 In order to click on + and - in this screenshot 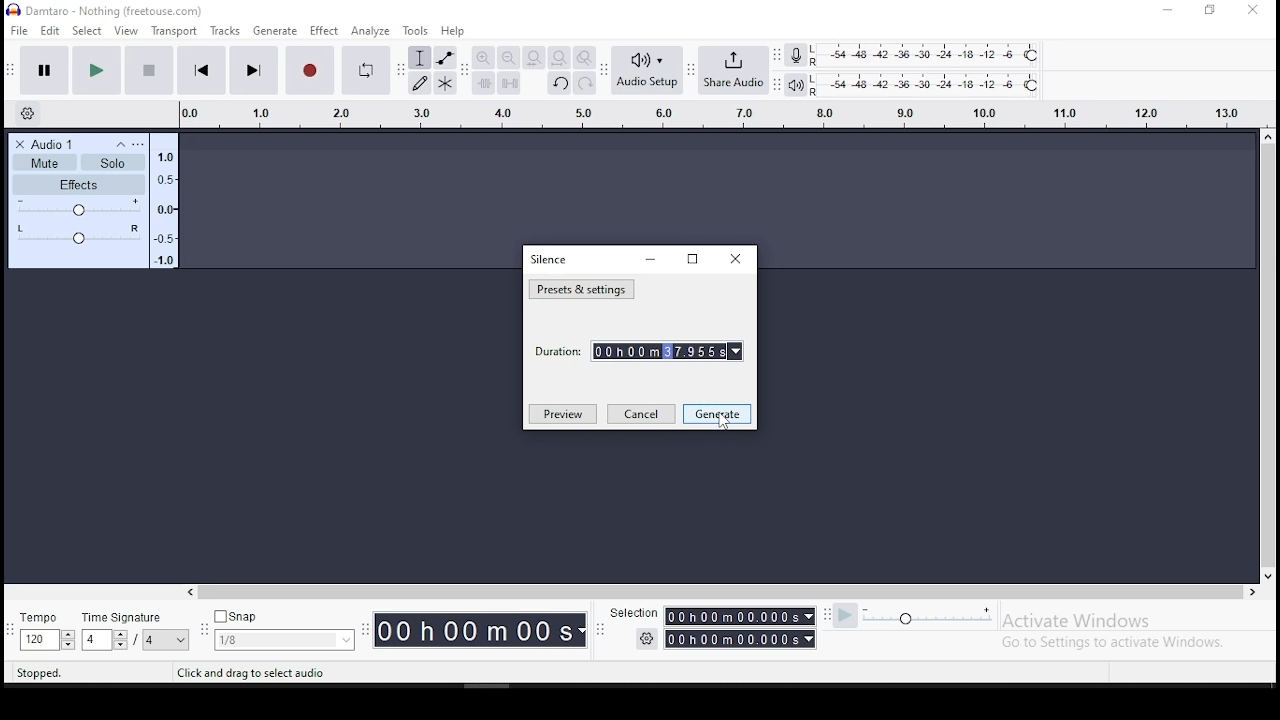, I will do `click(79, 208)`.